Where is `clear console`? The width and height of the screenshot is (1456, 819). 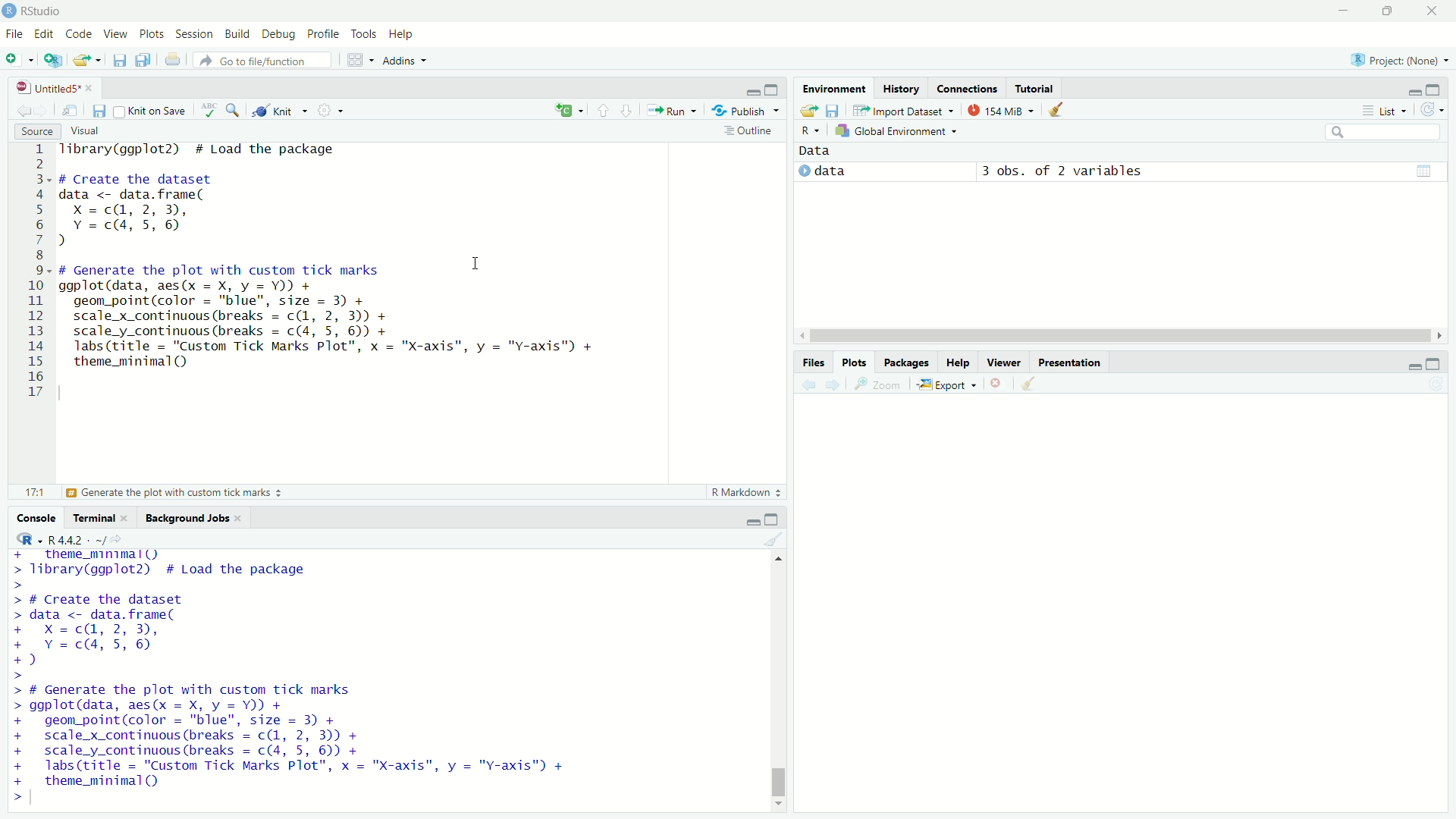 clear console is located at coordinates (773, 539).